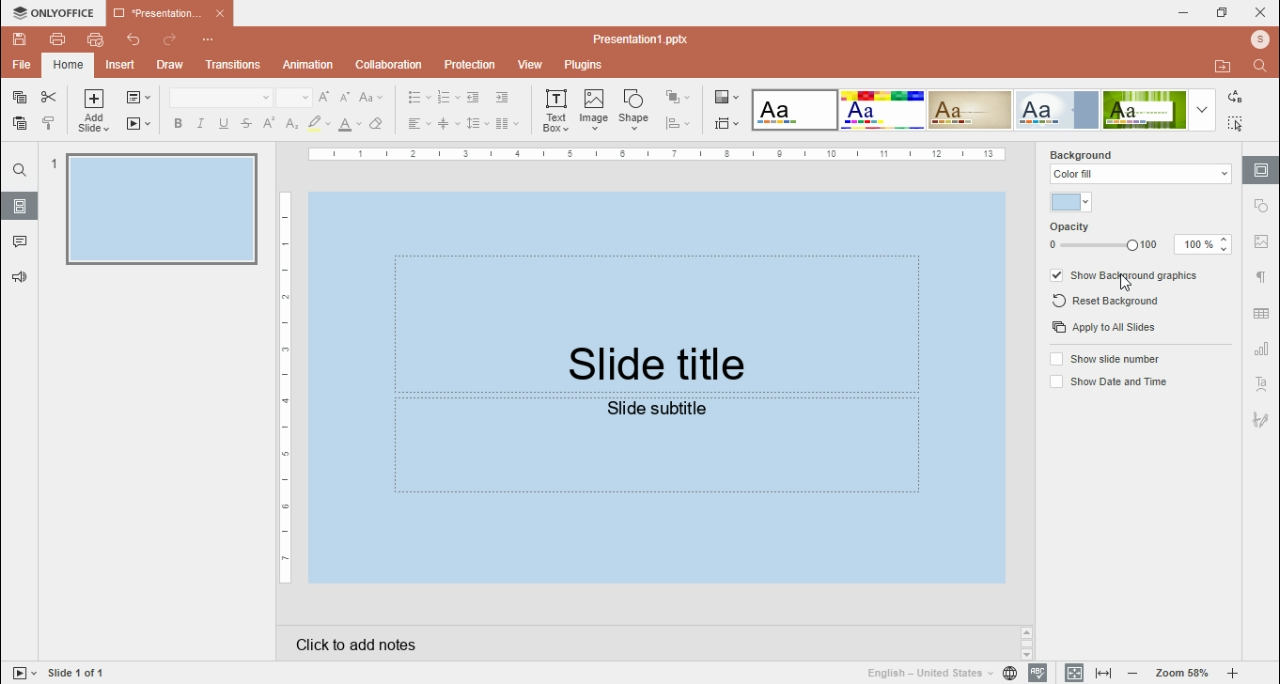 The height and width of the screenshot is (684, 1280). What do you see at coordinates (448, 97) in the screenshot?
I see `numbering` at bounding box center [448, 97].